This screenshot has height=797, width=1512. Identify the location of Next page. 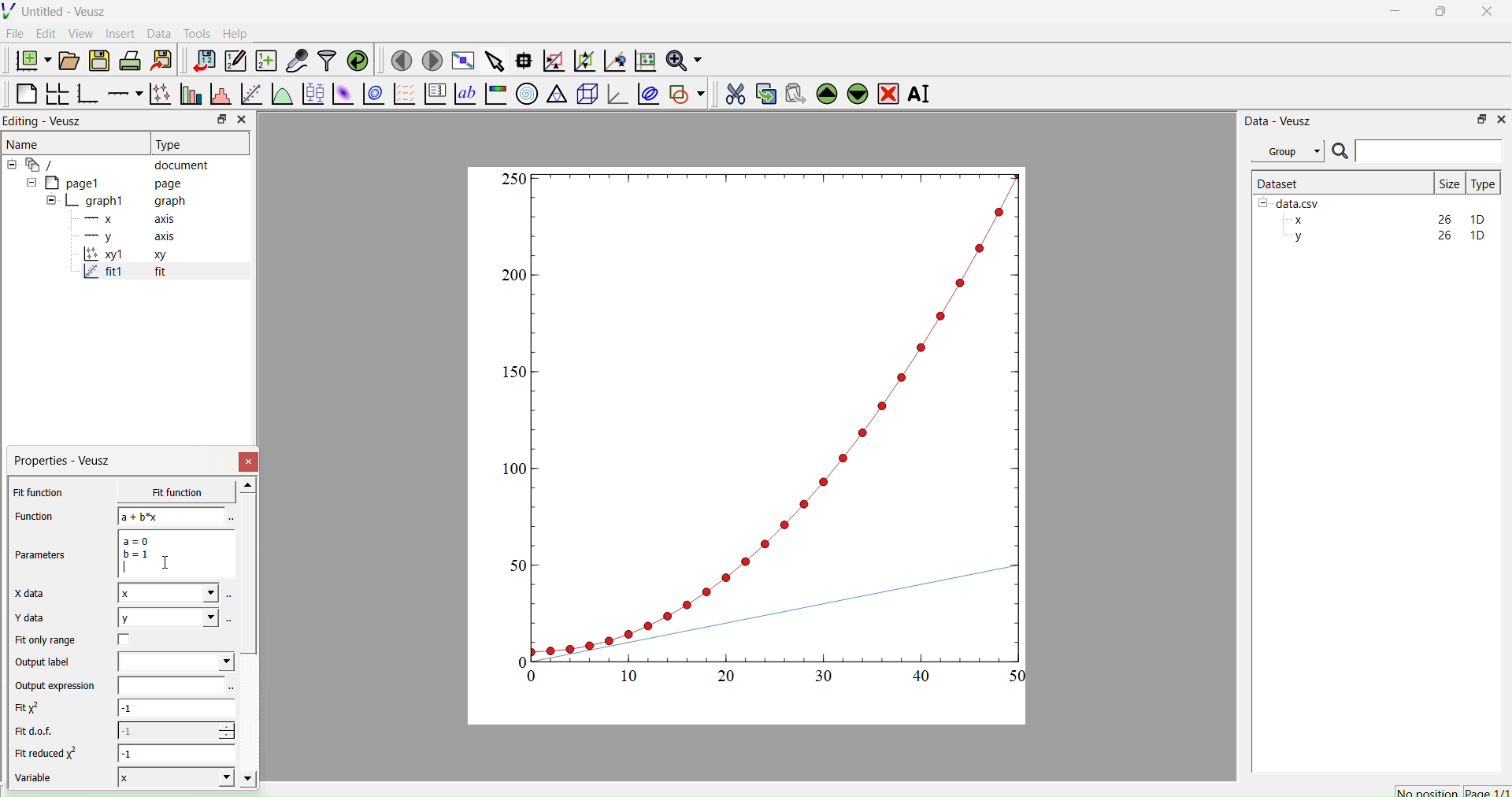
(428, 61).